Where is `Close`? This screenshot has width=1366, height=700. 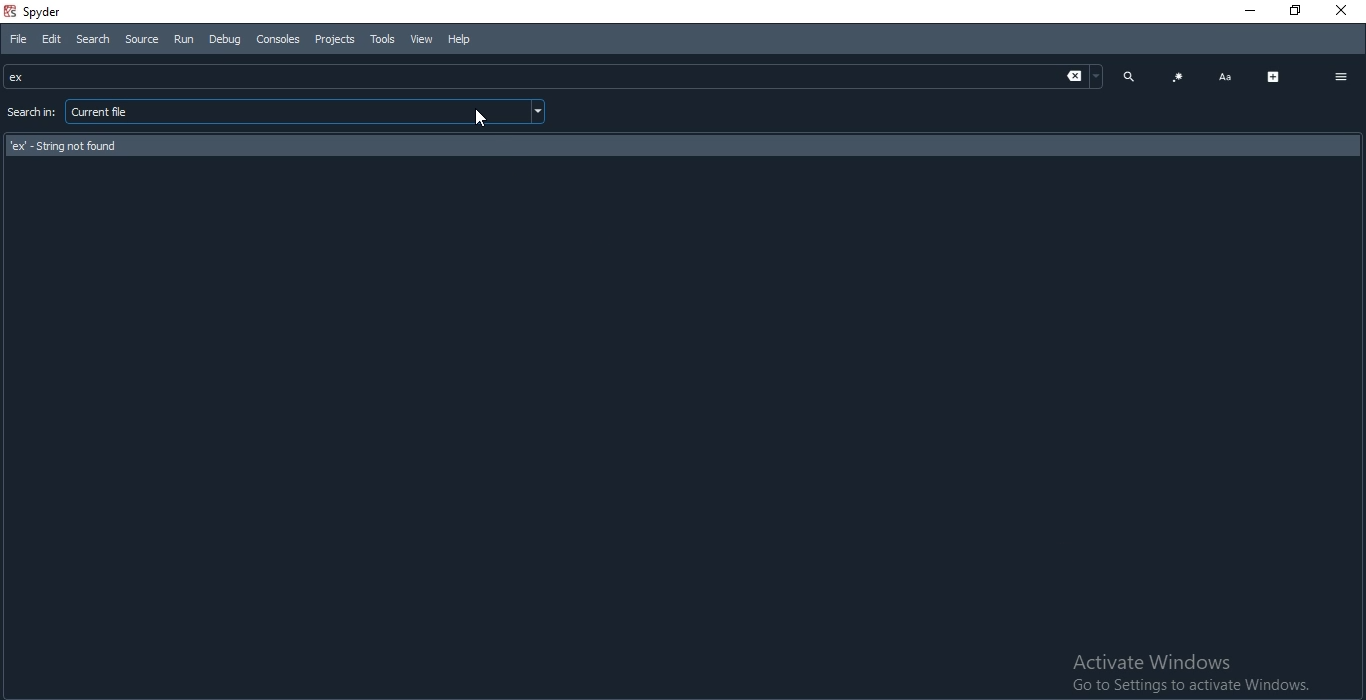
Close is located at coordinates (1345, 12).